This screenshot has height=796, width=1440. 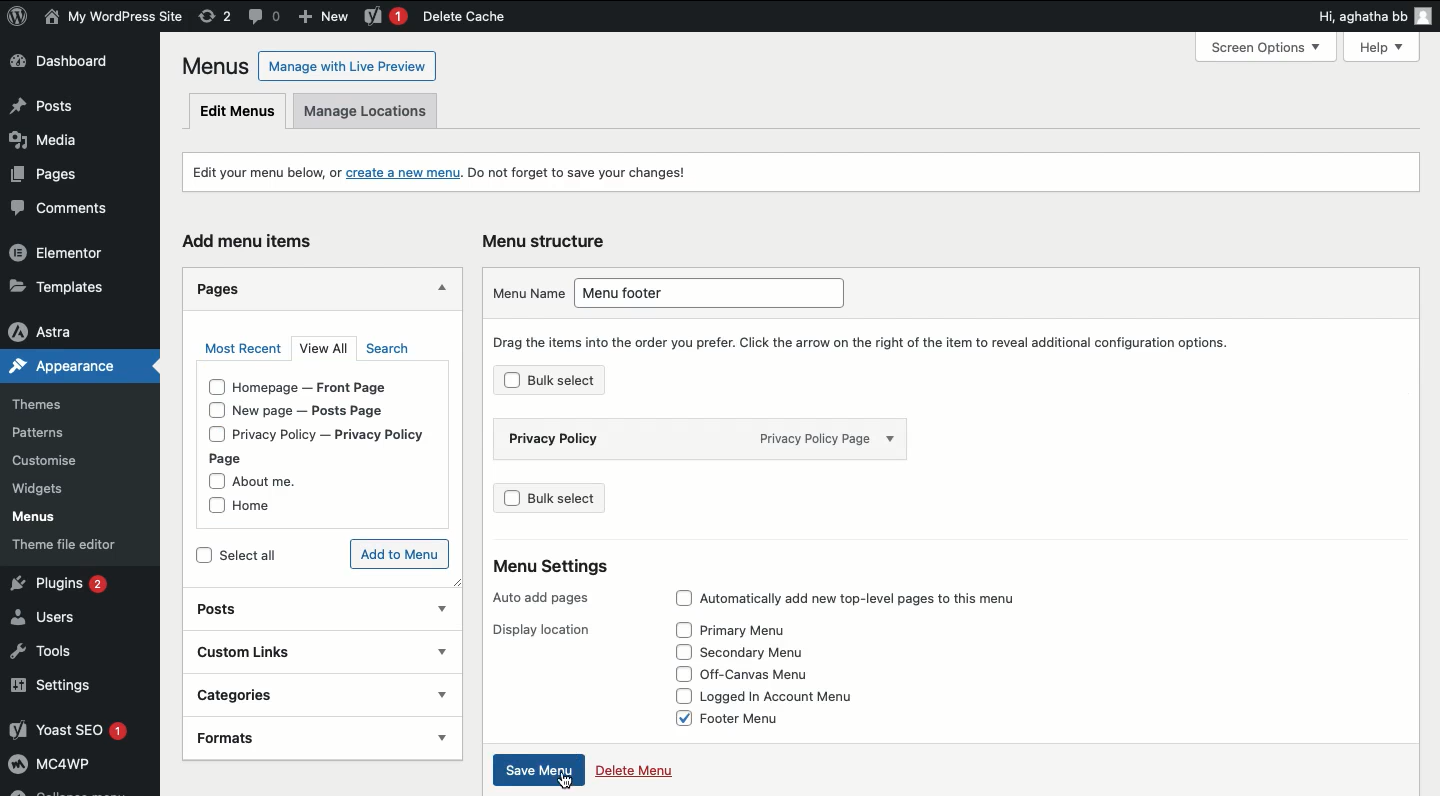 I want to click on Theme file editor, so click(x=81, y=548).